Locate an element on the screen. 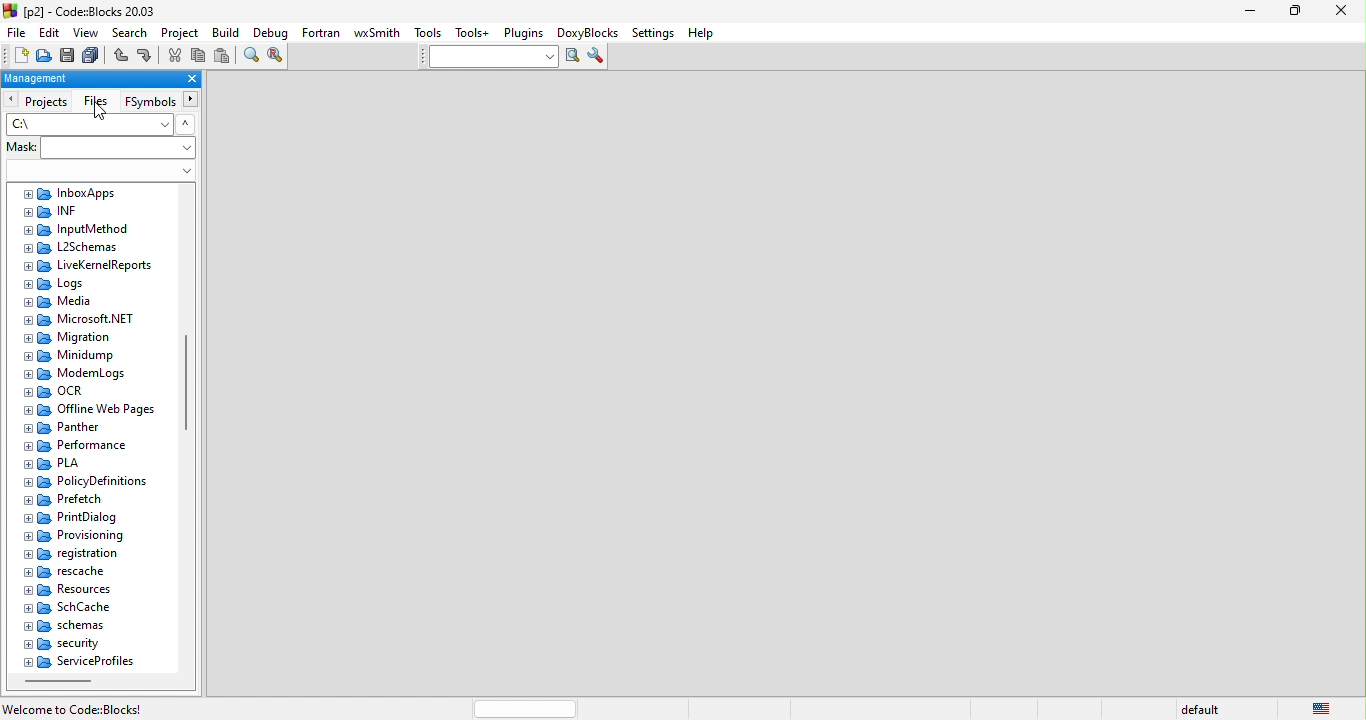 The image size is (1366, 720). migration is located at coordinates (92, 336).